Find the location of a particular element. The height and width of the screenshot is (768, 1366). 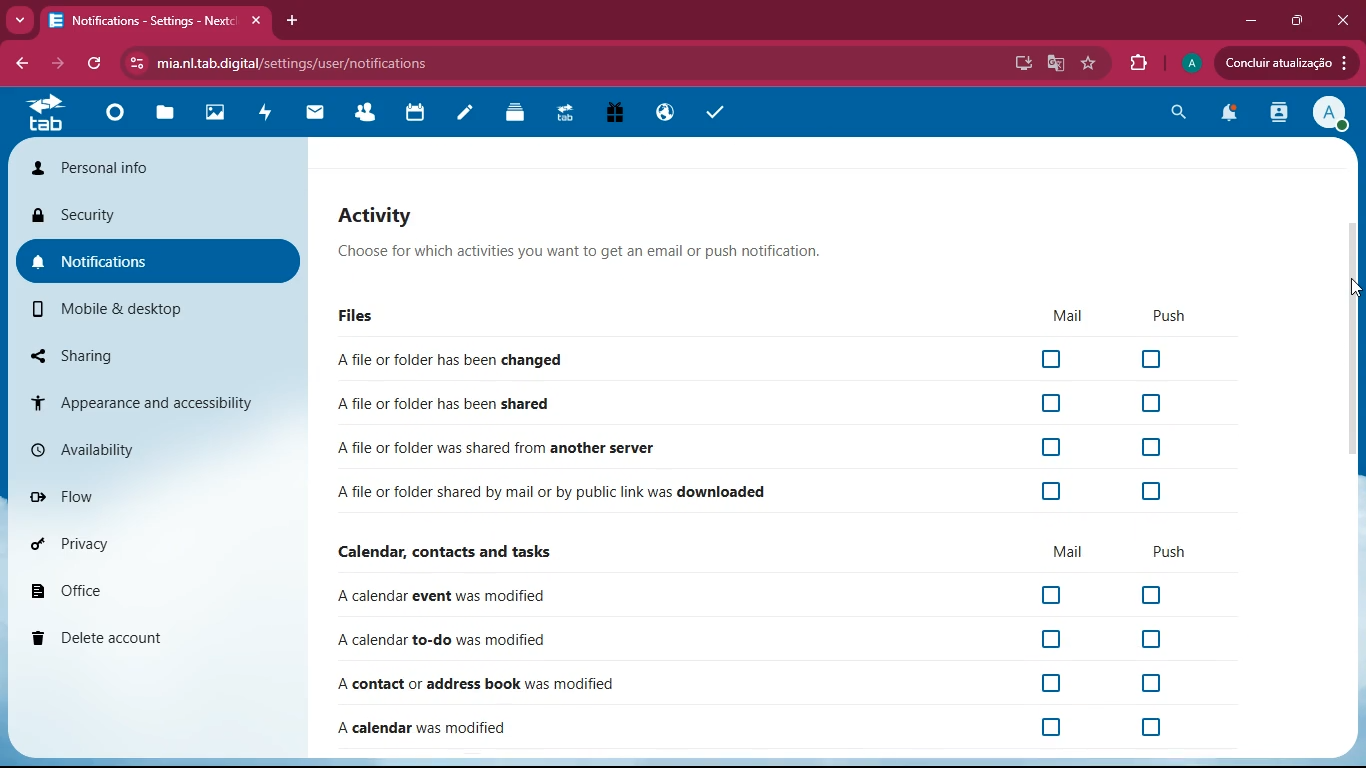

checkbox is located at coordinates (1151, 403).